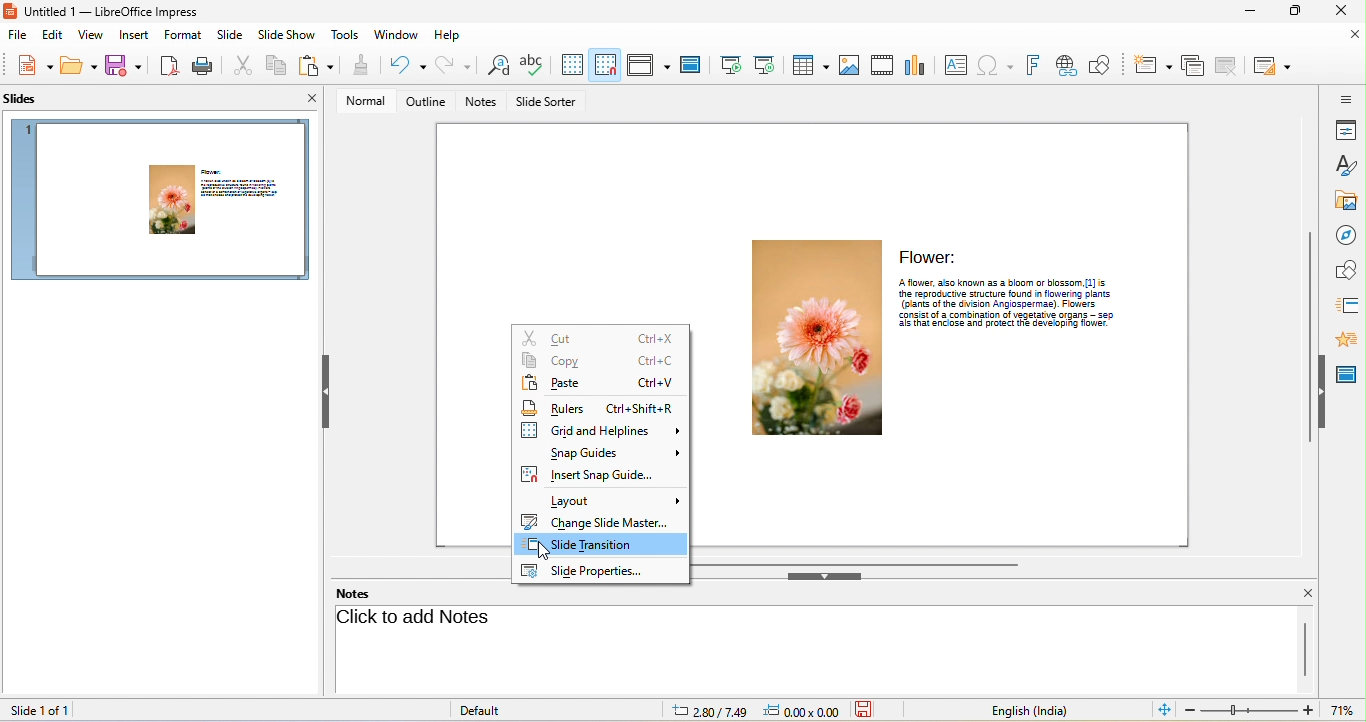  What do you see at coordinates (957, 64) in the screenshot?
I see `text box` at bounding box center [957, 64].